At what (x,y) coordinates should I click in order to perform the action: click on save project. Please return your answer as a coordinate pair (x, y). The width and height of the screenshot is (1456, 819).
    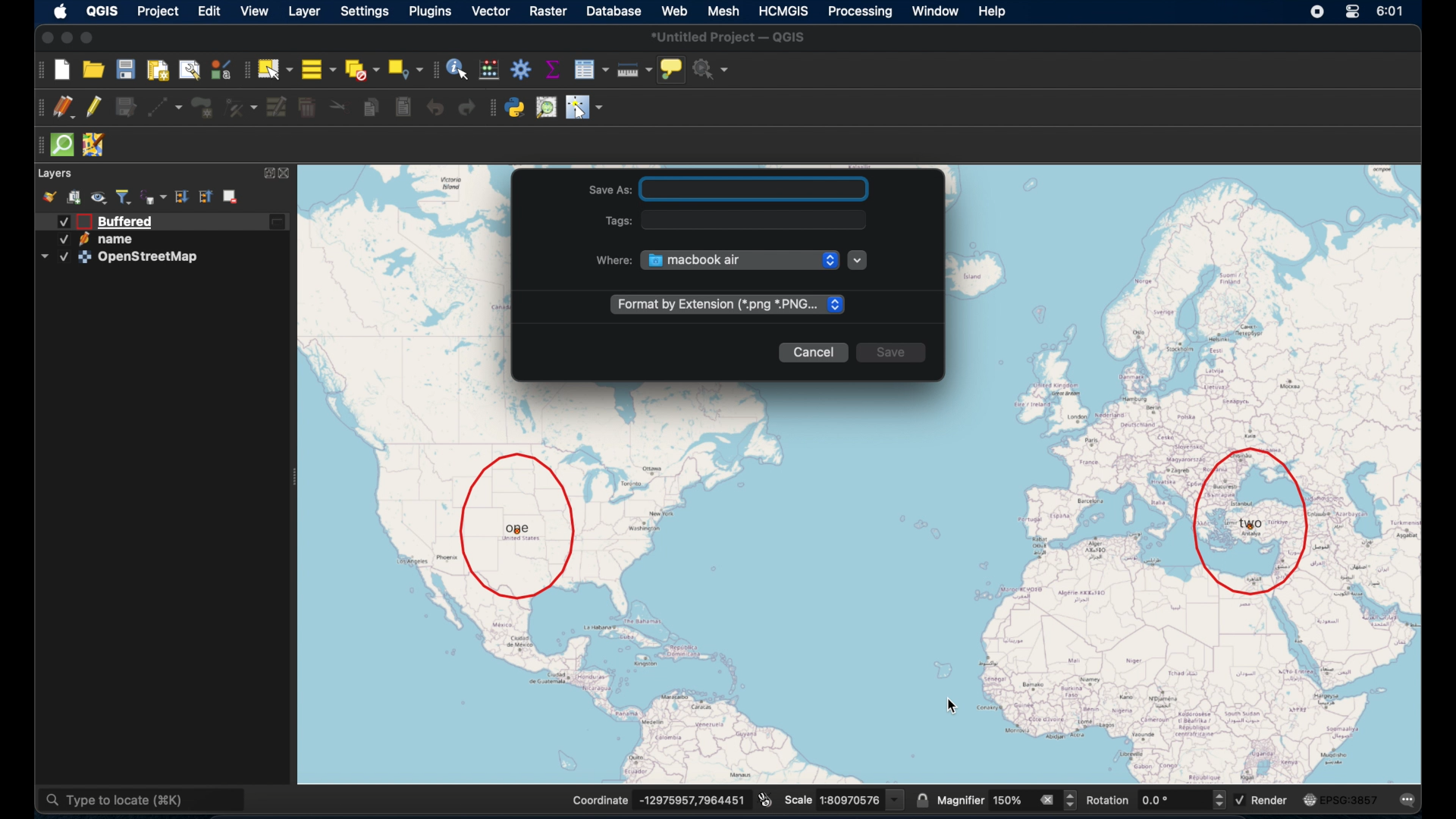
    Looking at the image, I should click on (125, 70).